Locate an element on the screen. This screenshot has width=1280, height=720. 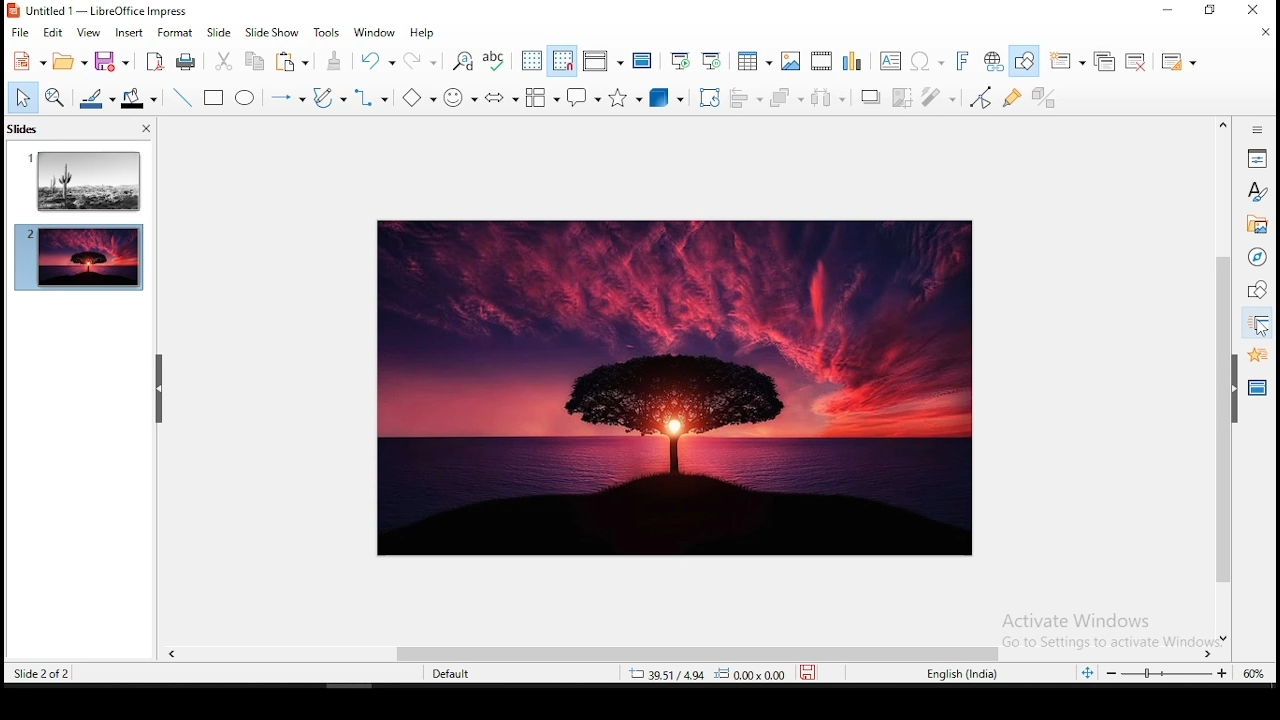
tables is located at coordinates (754, 59).